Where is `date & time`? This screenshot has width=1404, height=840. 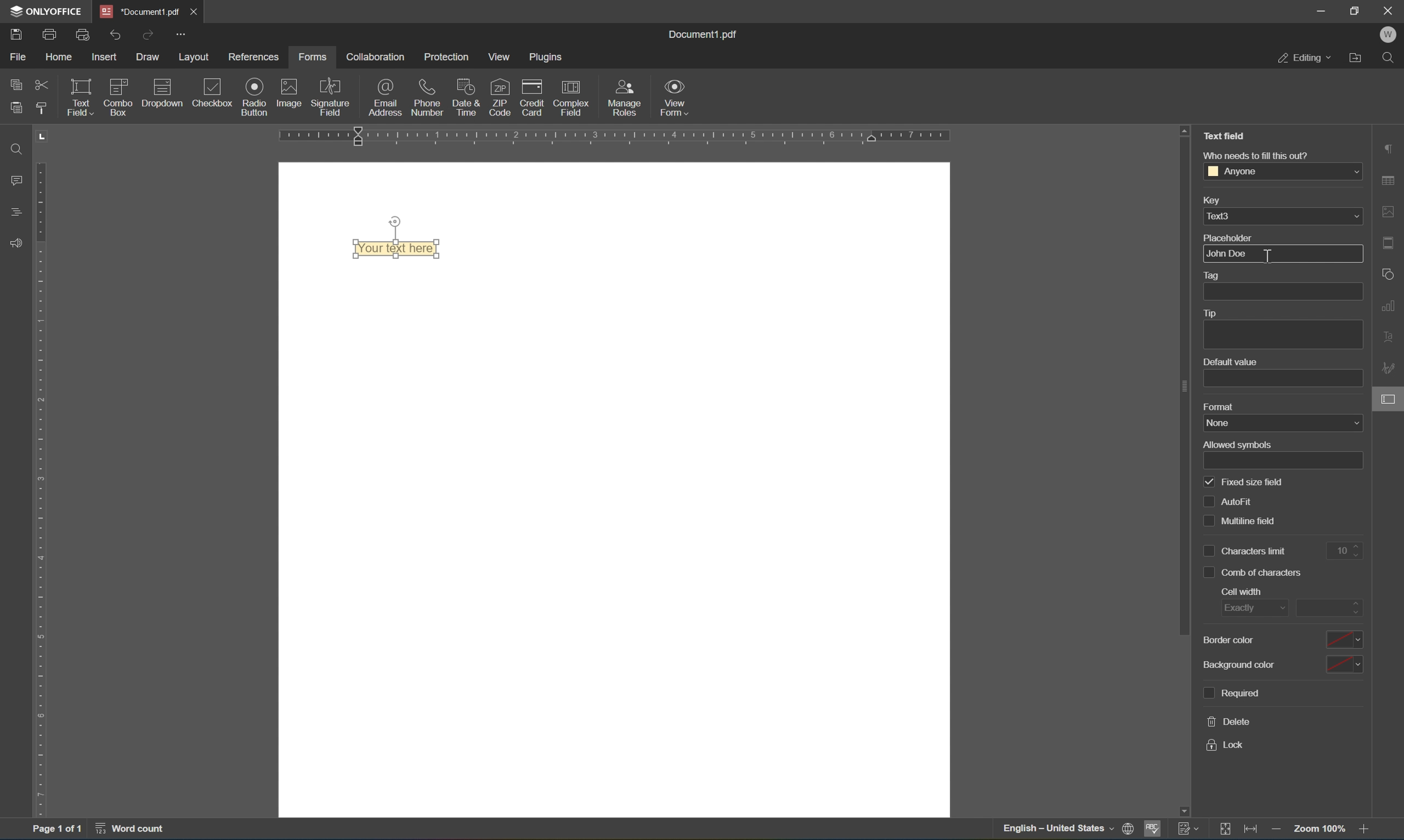
date & time is located at coordinates (464, 96).